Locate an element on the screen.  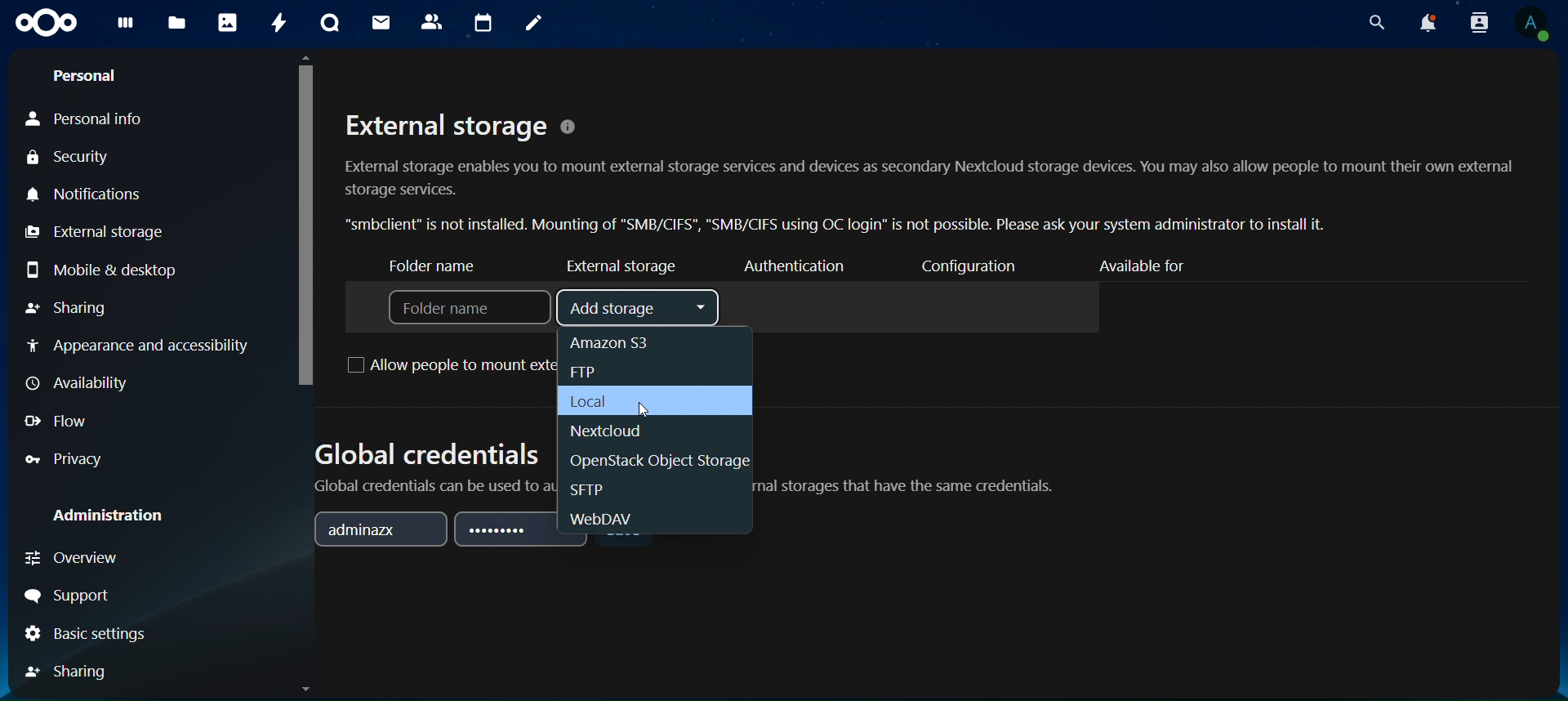
external storage is located at coordinates (621, 266).